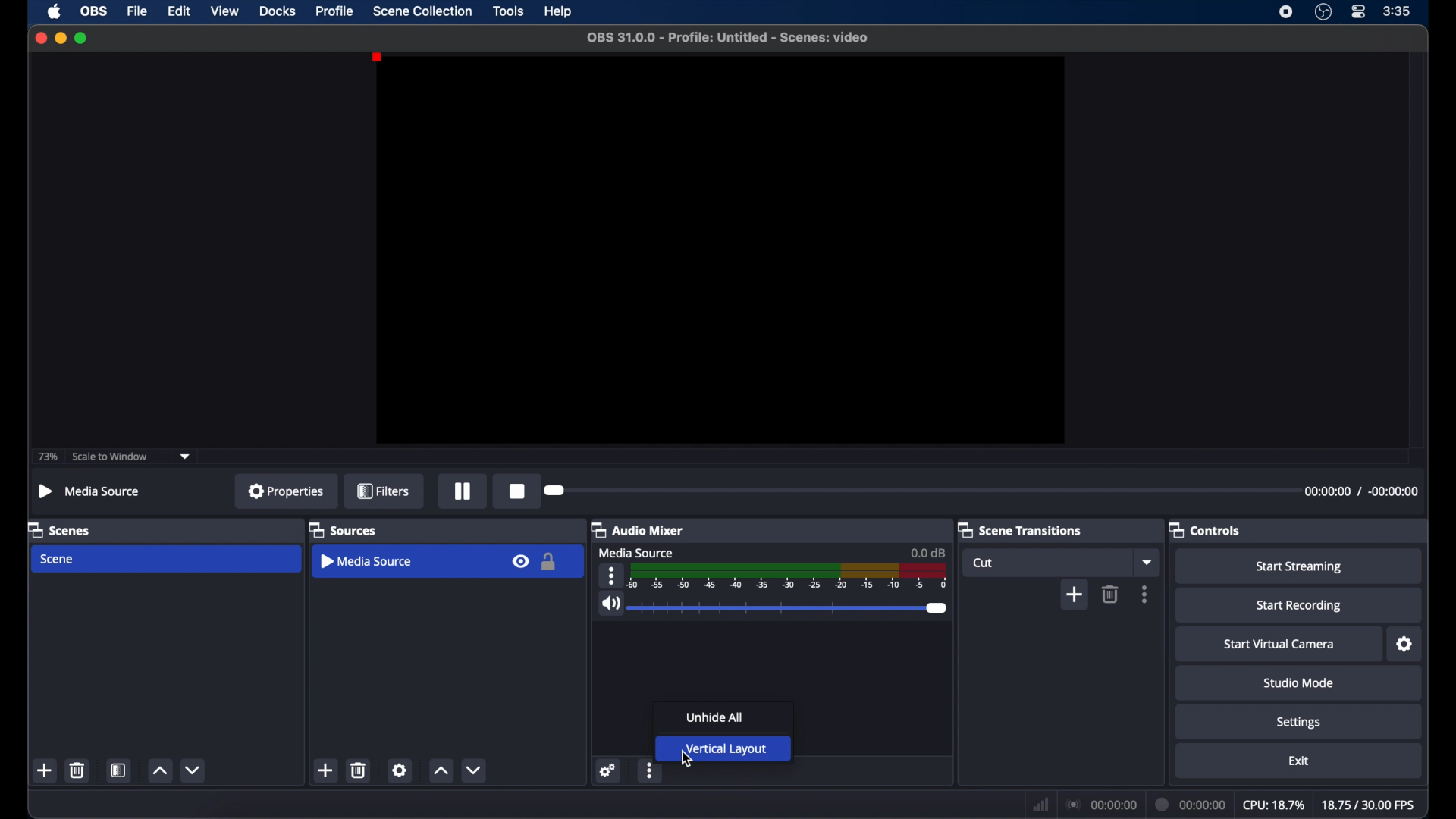 The width and height of the screenshot is (1456, 819). Describe the element at coordinates (47, 457) in the screenshot. I see `73%` at that location.